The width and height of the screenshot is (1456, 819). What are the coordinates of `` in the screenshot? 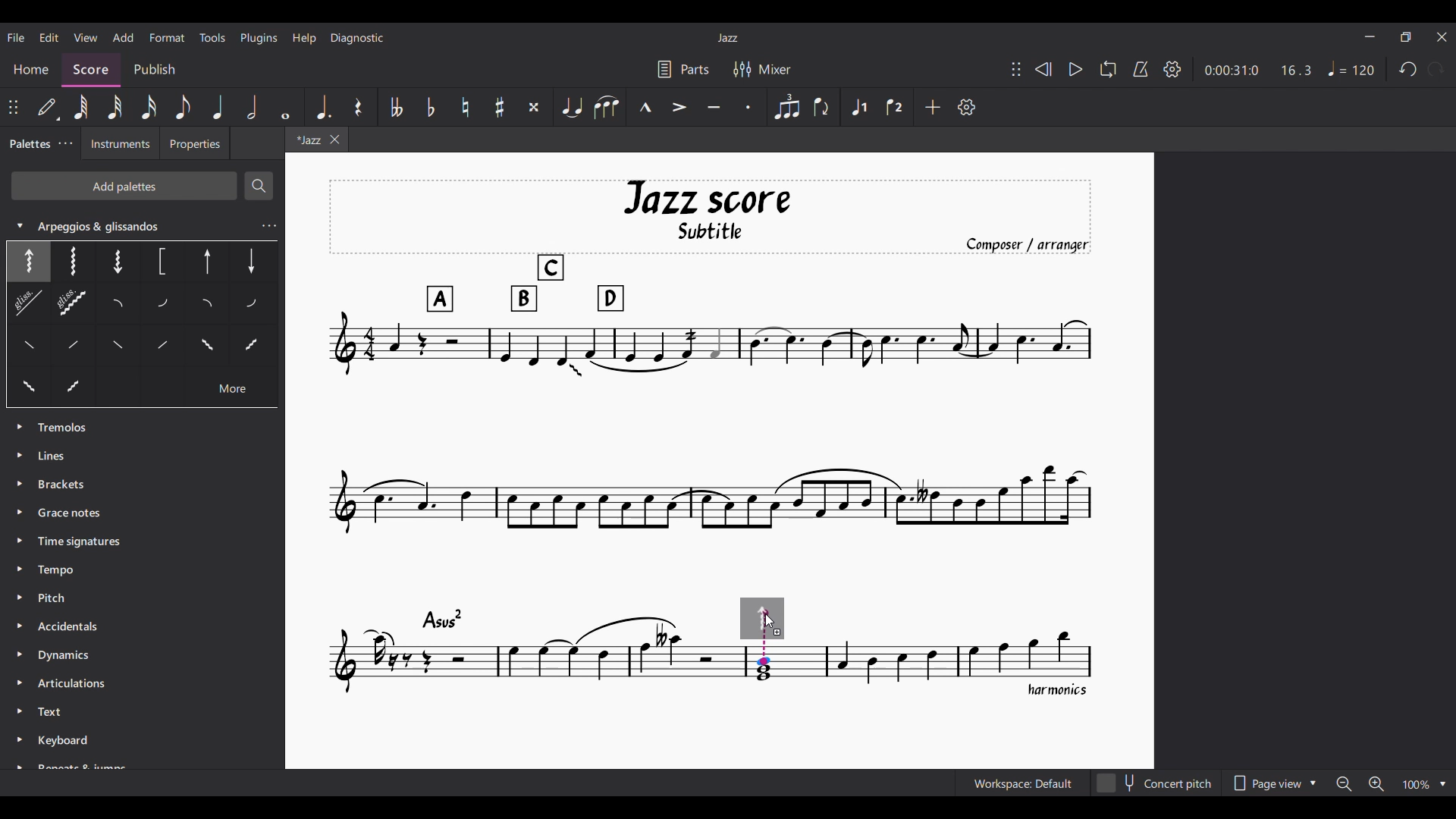 It's located at (253, 259).